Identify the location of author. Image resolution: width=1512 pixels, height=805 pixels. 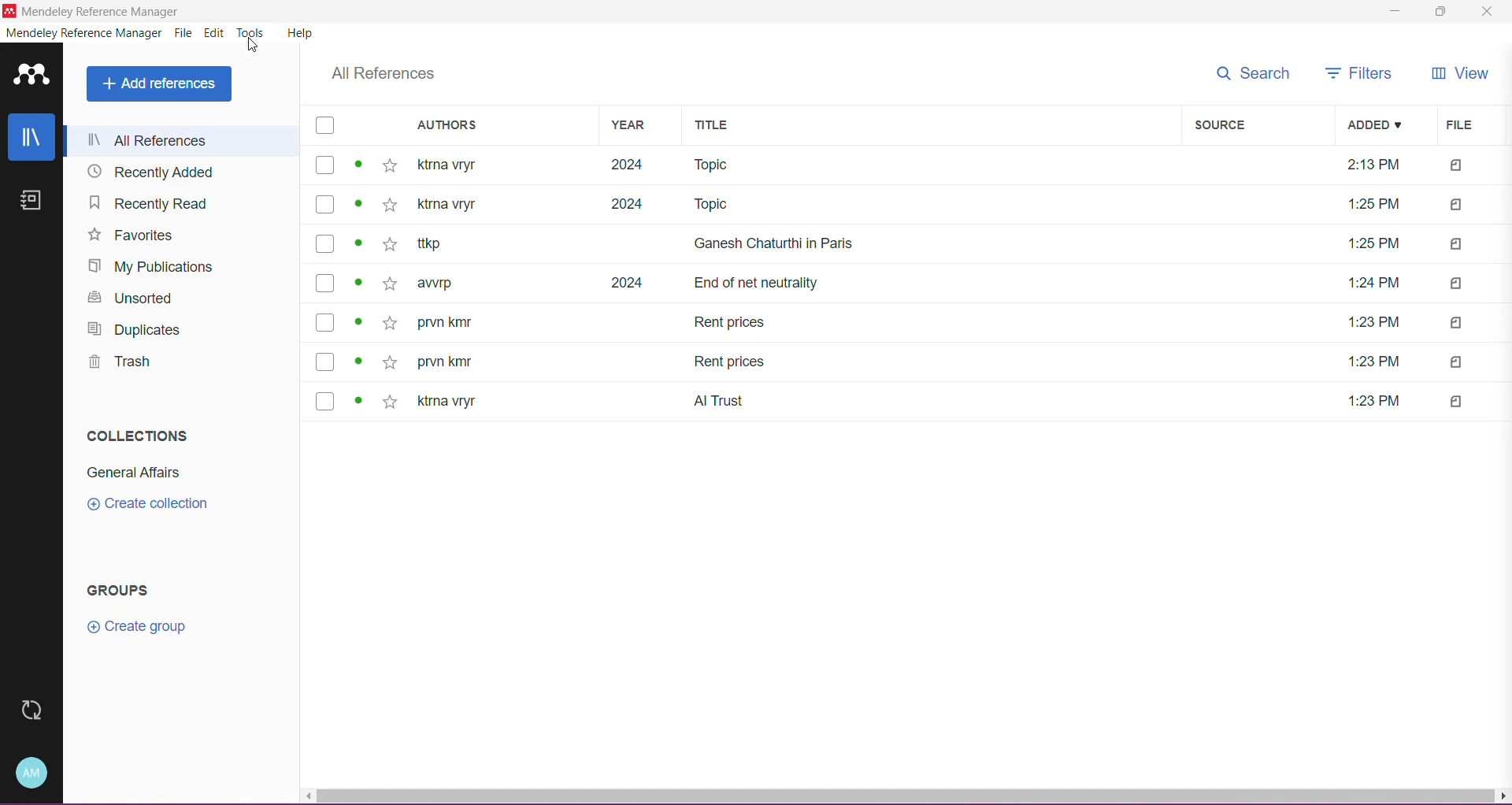
(440, 244).